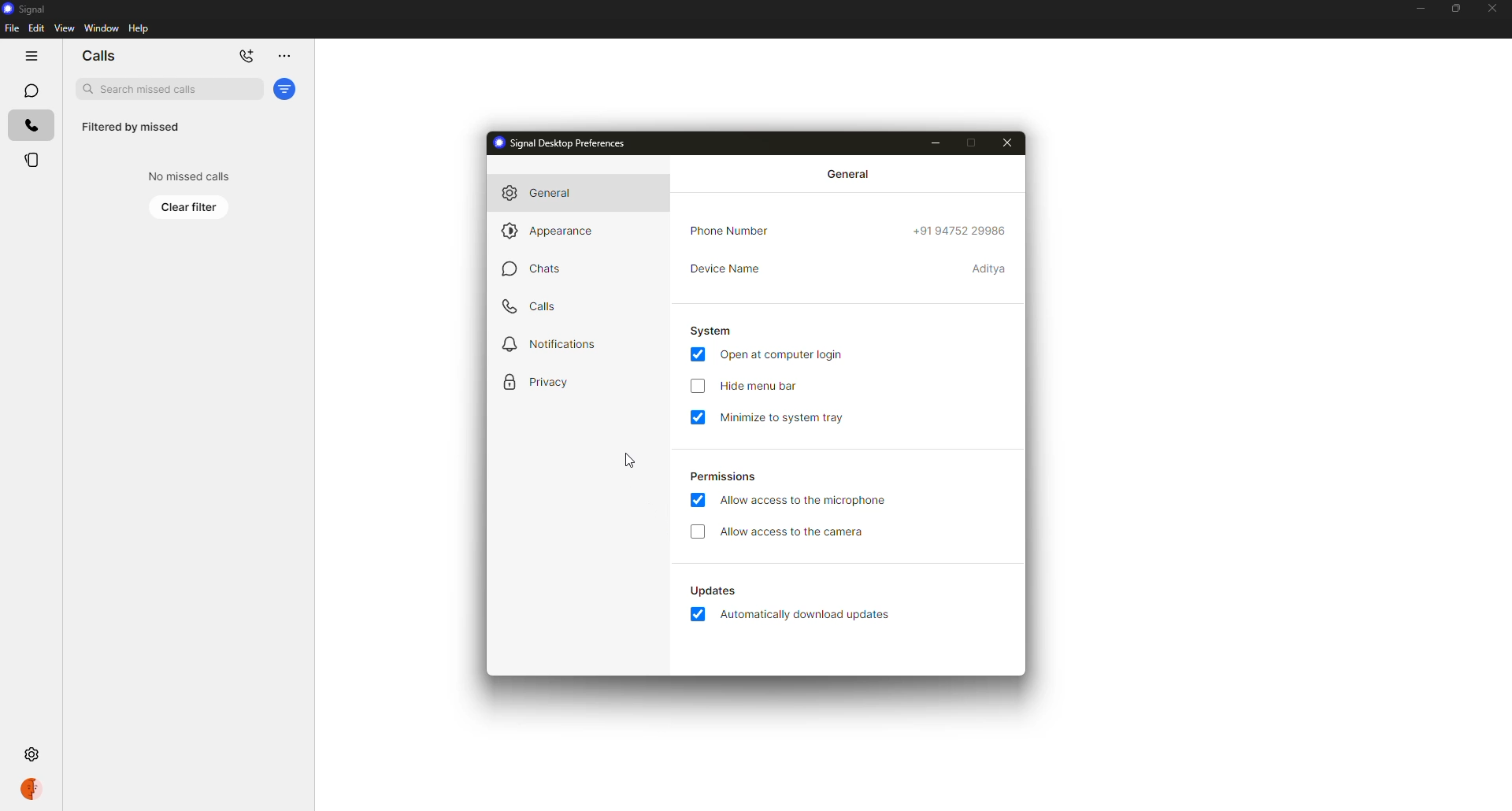 Image resolution: width=1512 pixels, height=811 pixels. What do you see at coordinates (697, 613) in the screenshot?
I see `enabled` at bounding box center [697, 613].